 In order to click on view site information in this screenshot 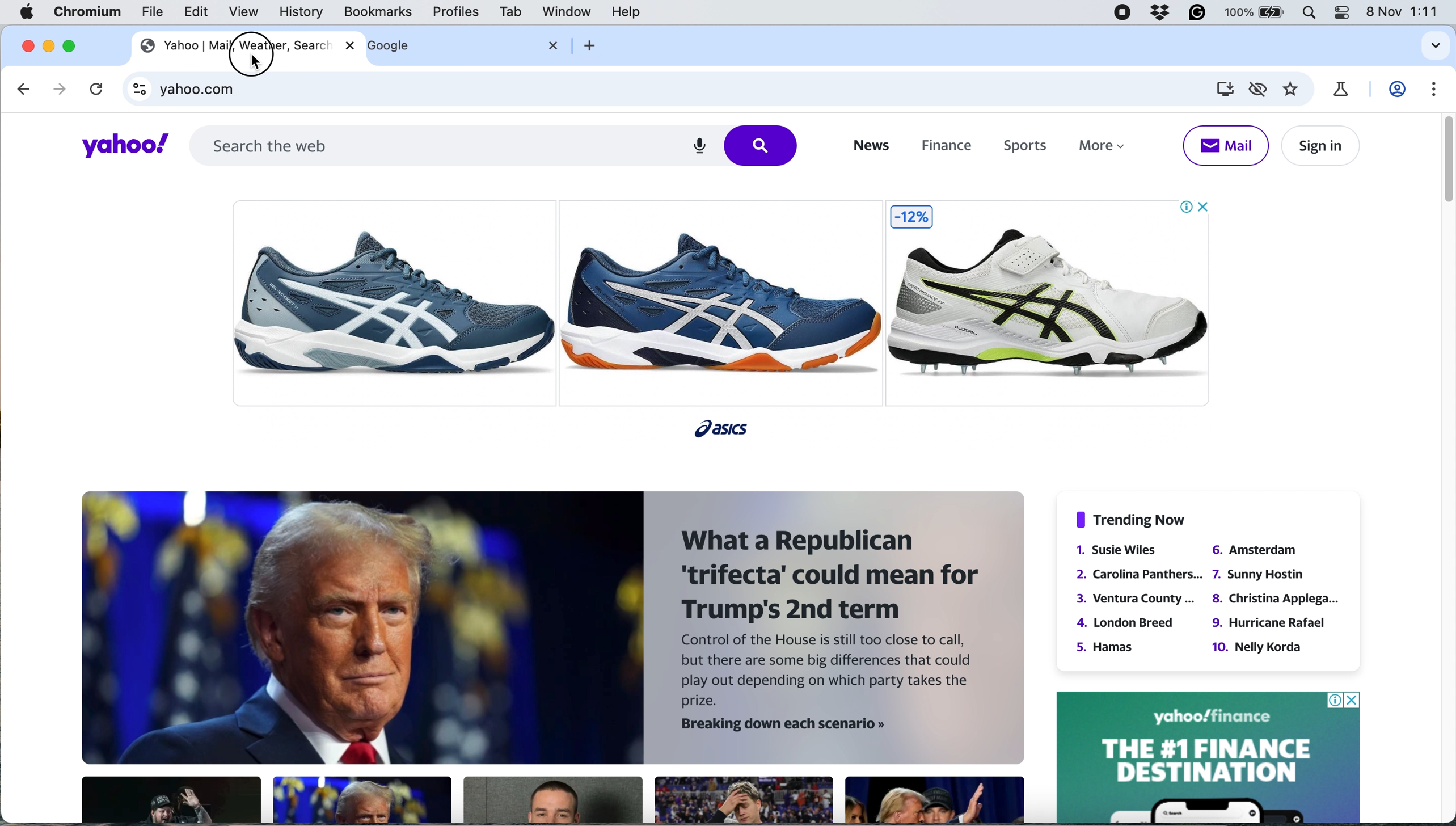, I will do `click(138, 92)`.